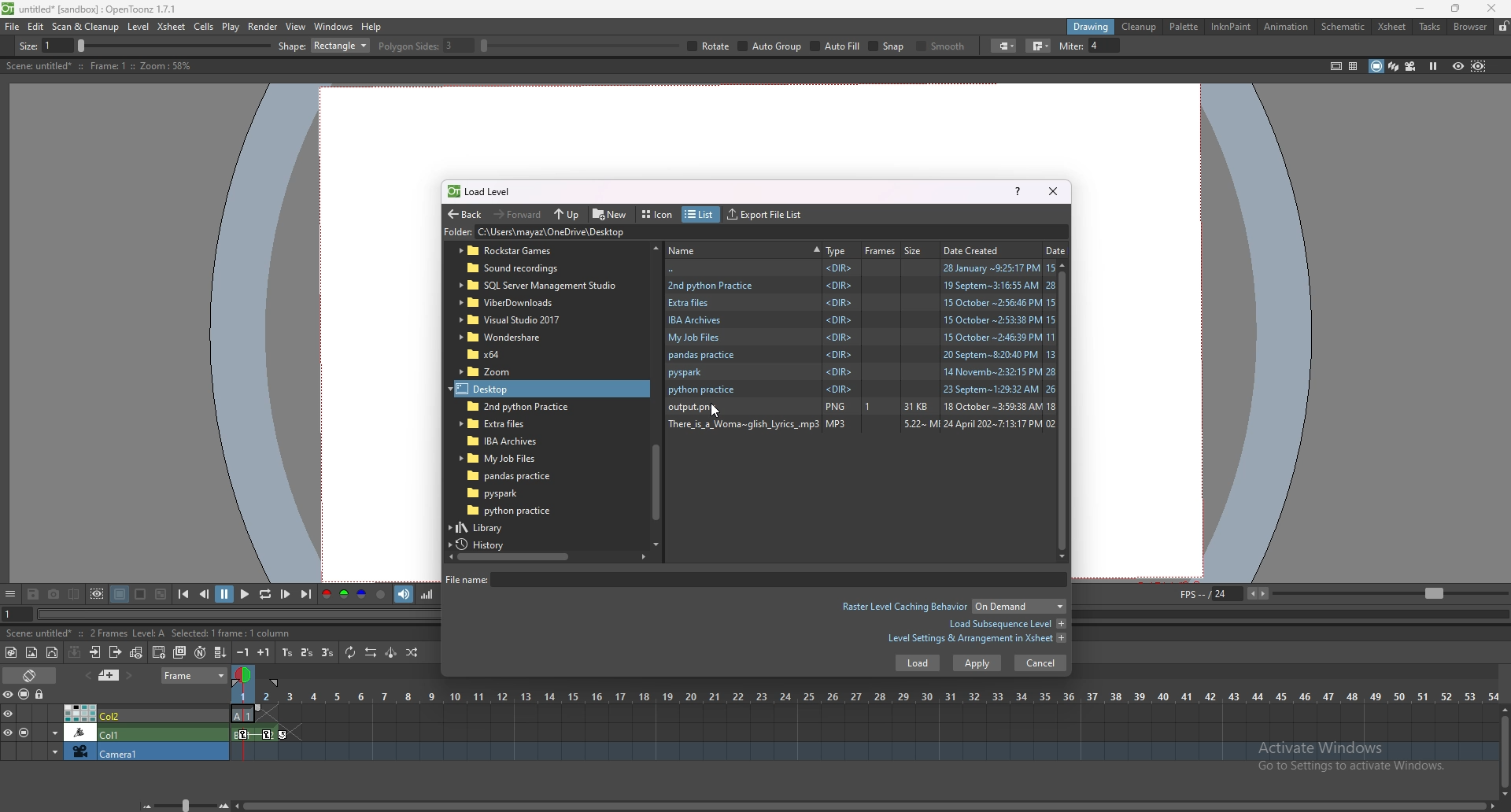 Image resolution: width=1511 pixels, height=812 pixels. What do you see at coordinates (327, 652) in the screenshot?
I see `reframe on 3s` at bounding box center [327, 652].